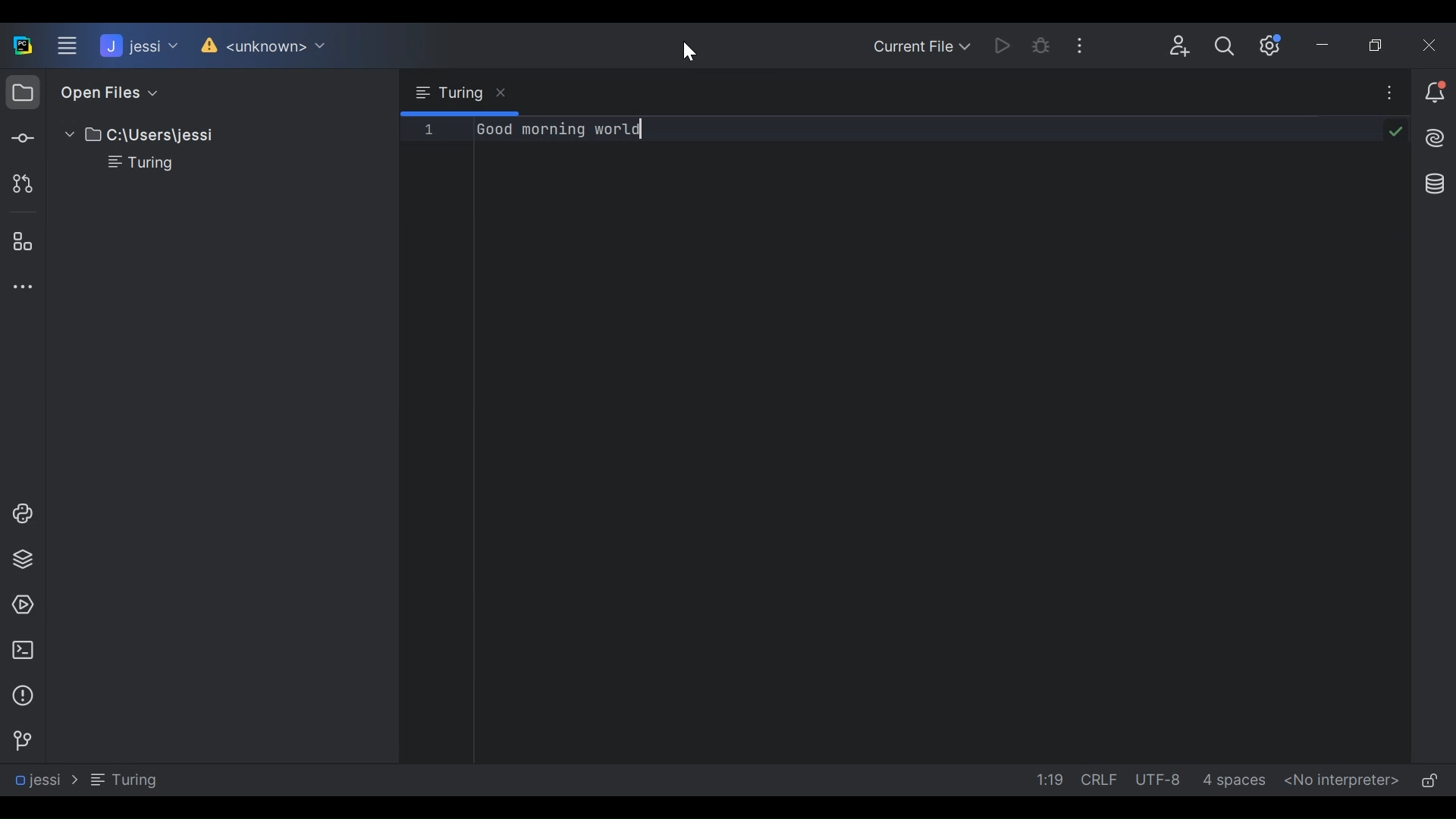 This screenshot has height=819, width=1456. Describe the element at coordinates (1429, 783) in the screenshot. I see `(un)lock` at that location.